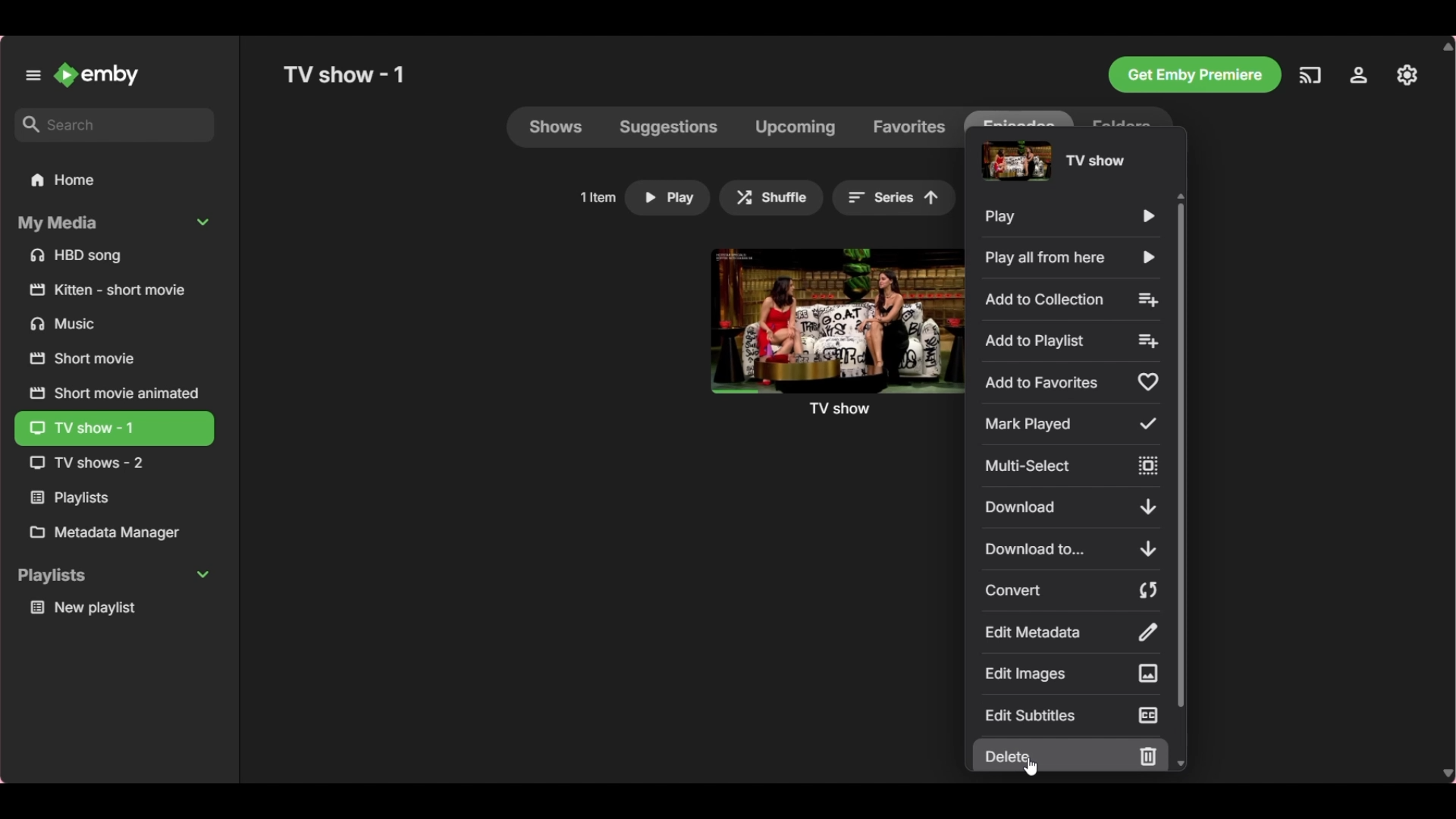  I want to click on Quick slide to bottom, so click(1181, 764).